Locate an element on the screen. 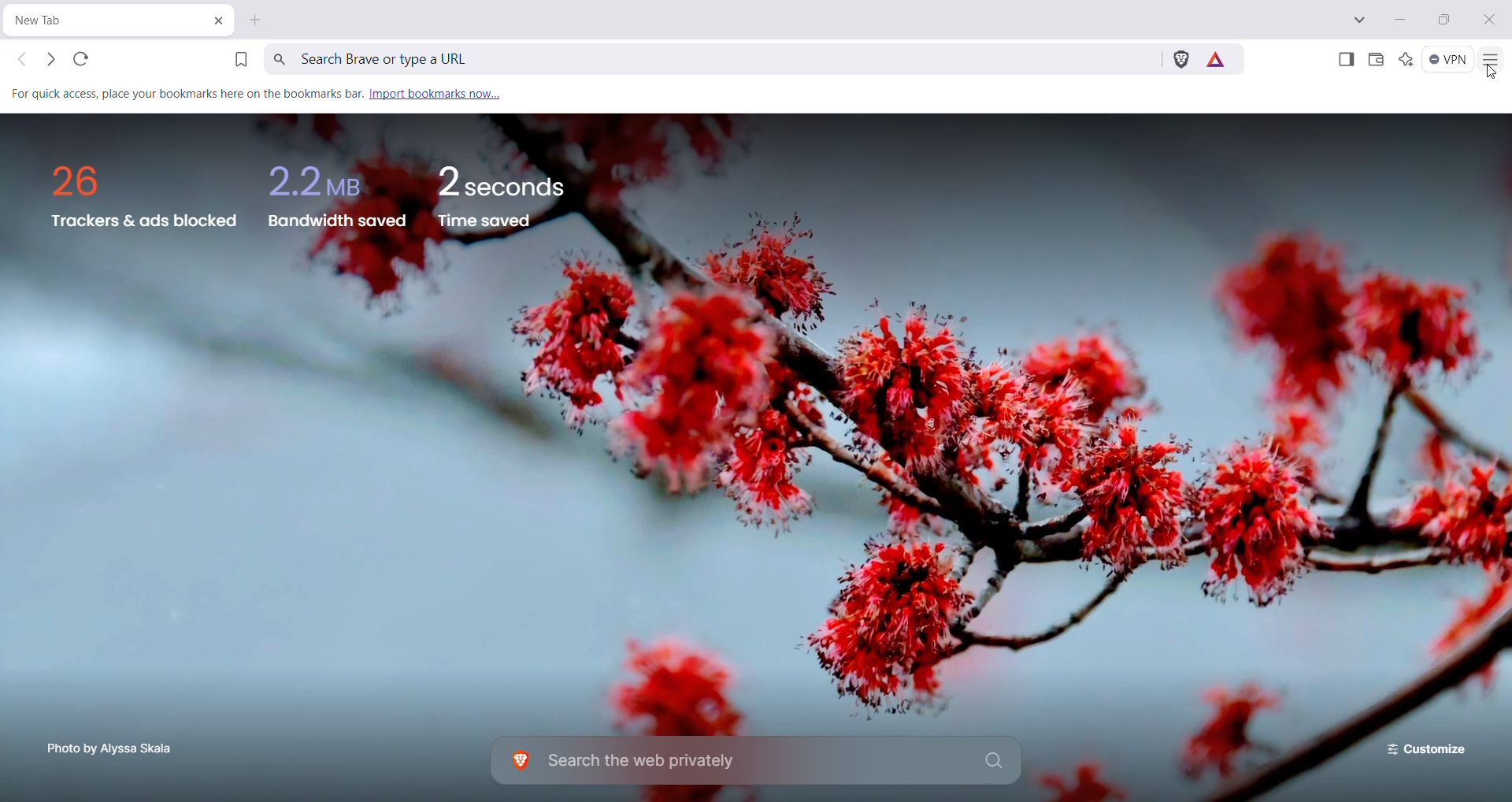 The height and width of the screenshot is (802, 1512). Leo AI is located at coordinates (1408, 59).